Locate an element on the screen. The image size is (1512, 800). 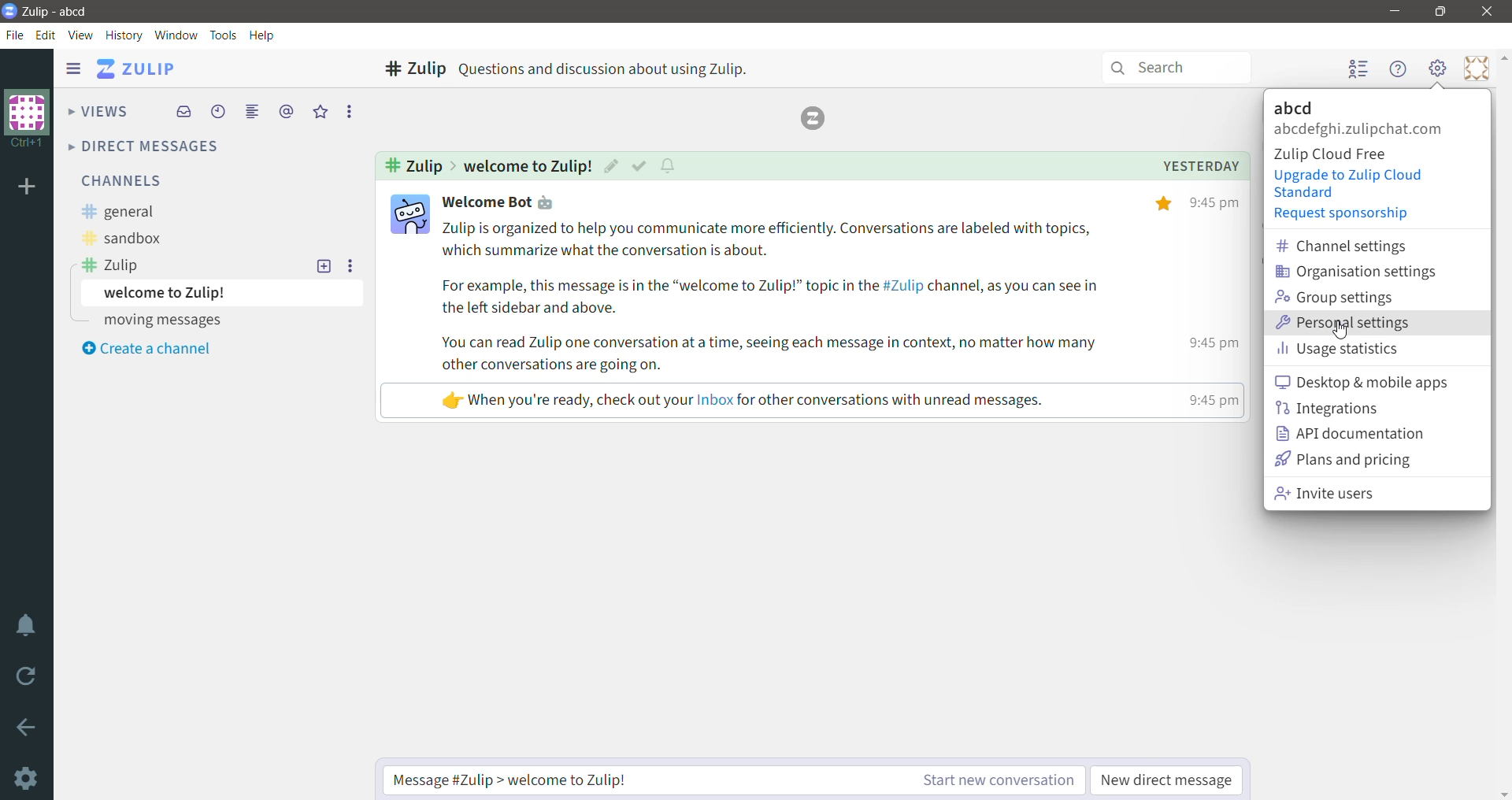
Combined feed is located at coordinates (254, 112).